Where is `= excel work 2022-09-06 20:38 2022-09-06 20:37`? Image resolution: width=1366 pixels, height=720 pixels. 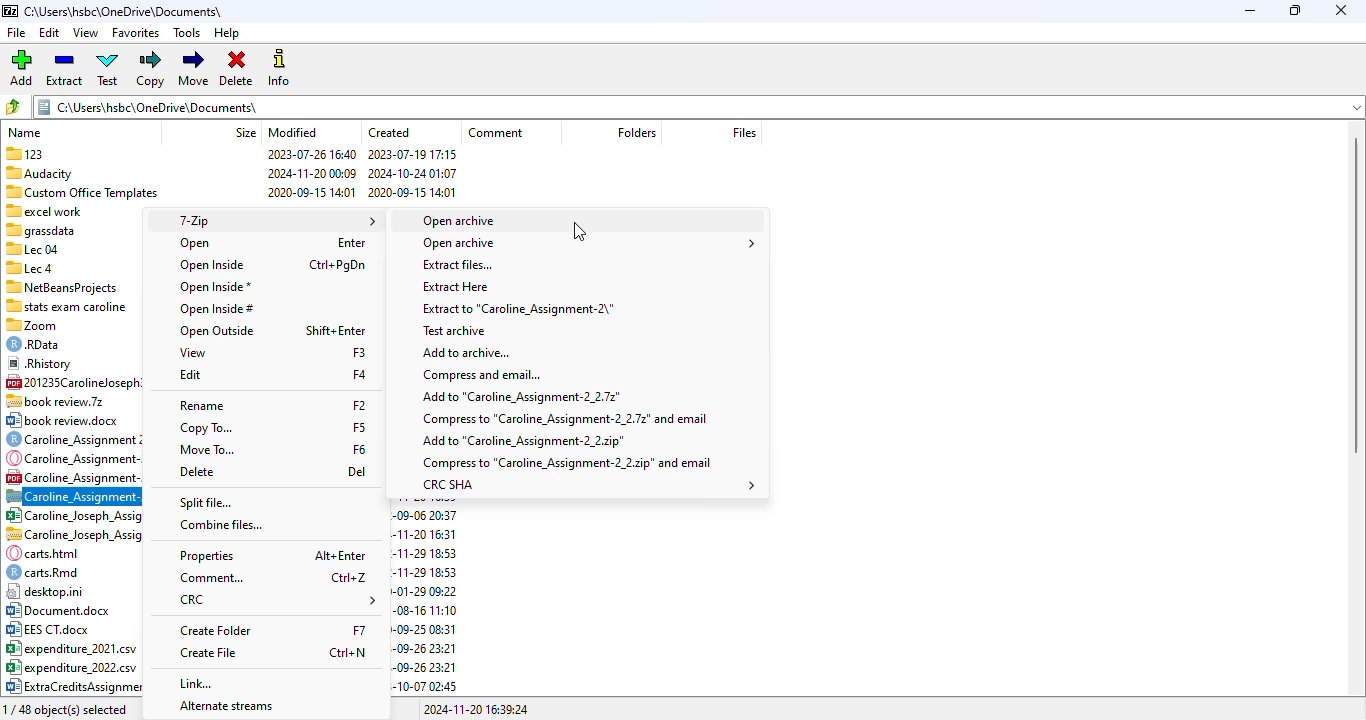 = excel work 2022-09-06 20:38 2022-09-06 20:37 is located at coordinates (71, 210).